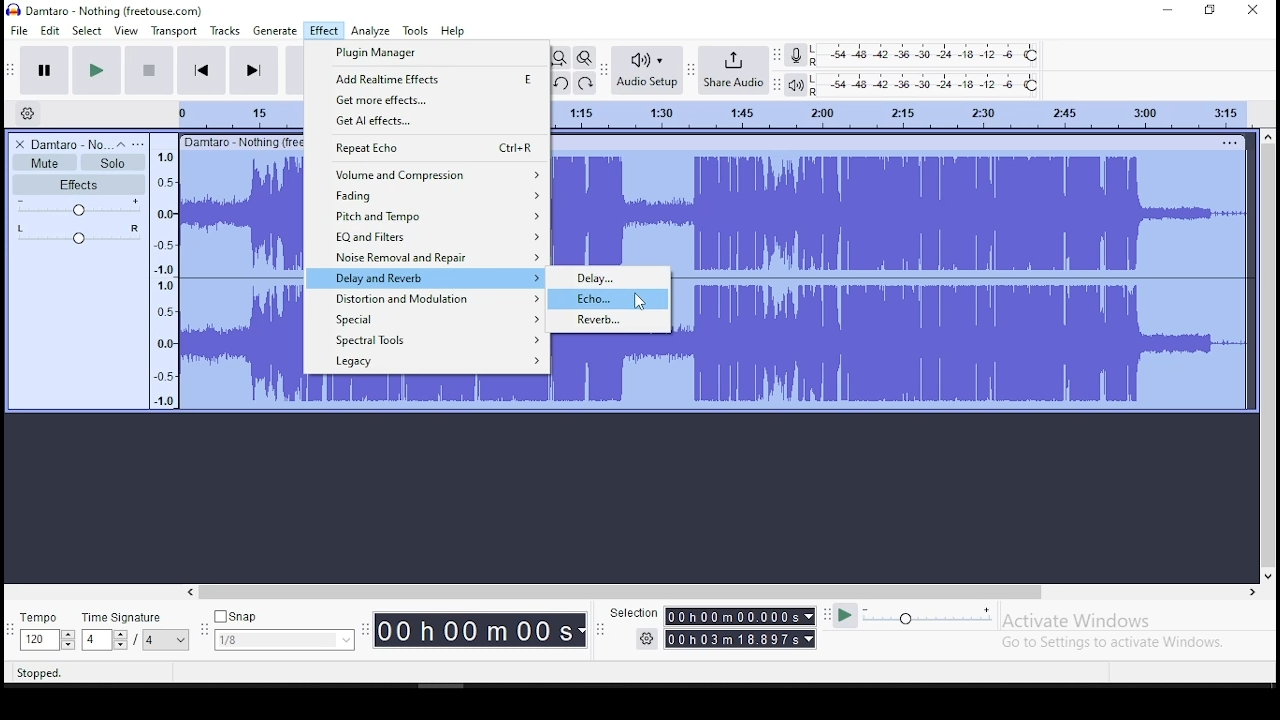  I want to click on vertical scrollbar, so click(1269, 356).